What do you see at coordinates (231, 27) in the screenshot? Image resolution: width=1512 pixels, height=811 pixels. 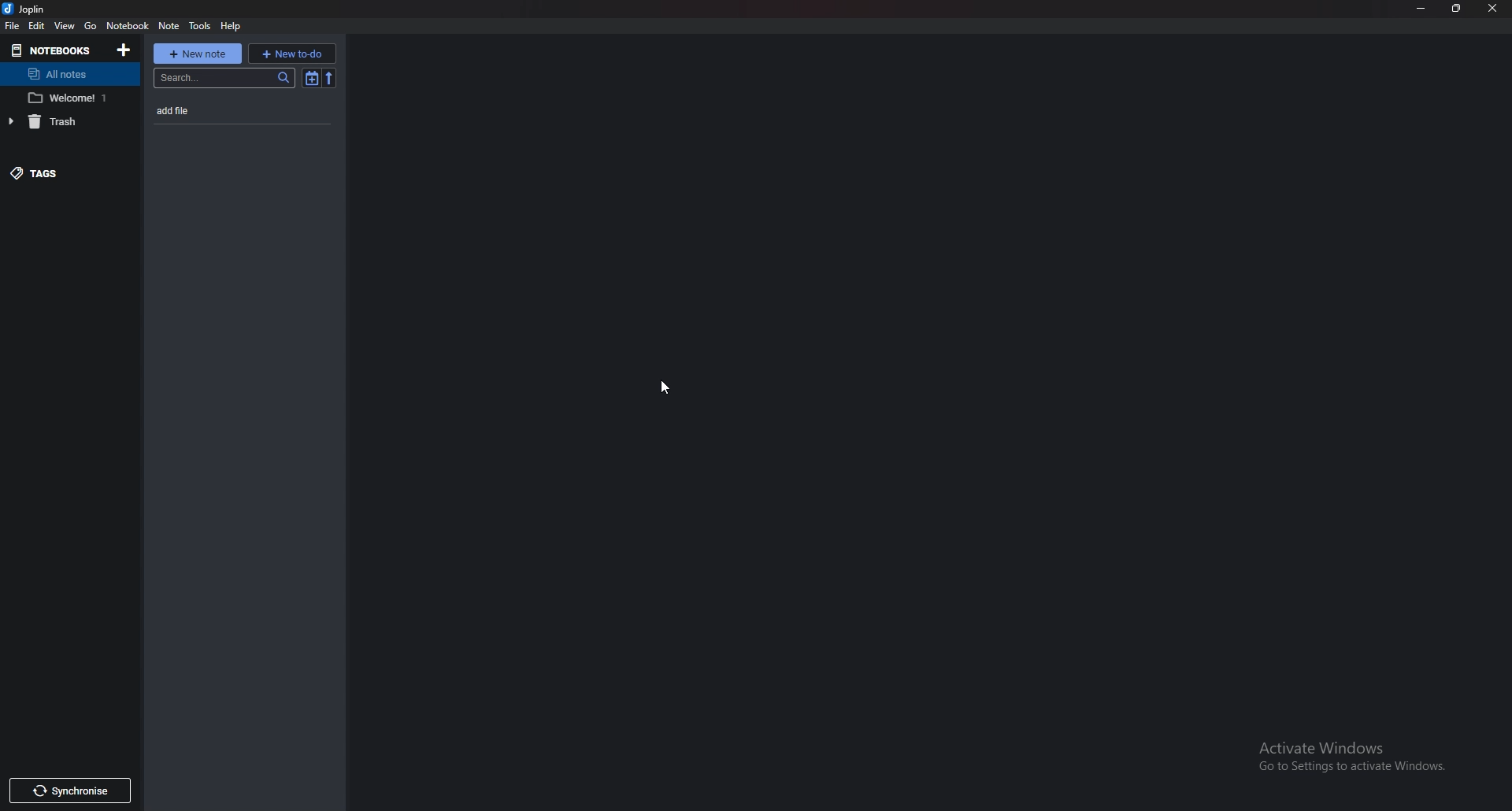 I see `help` at bounding box center [231, 27].